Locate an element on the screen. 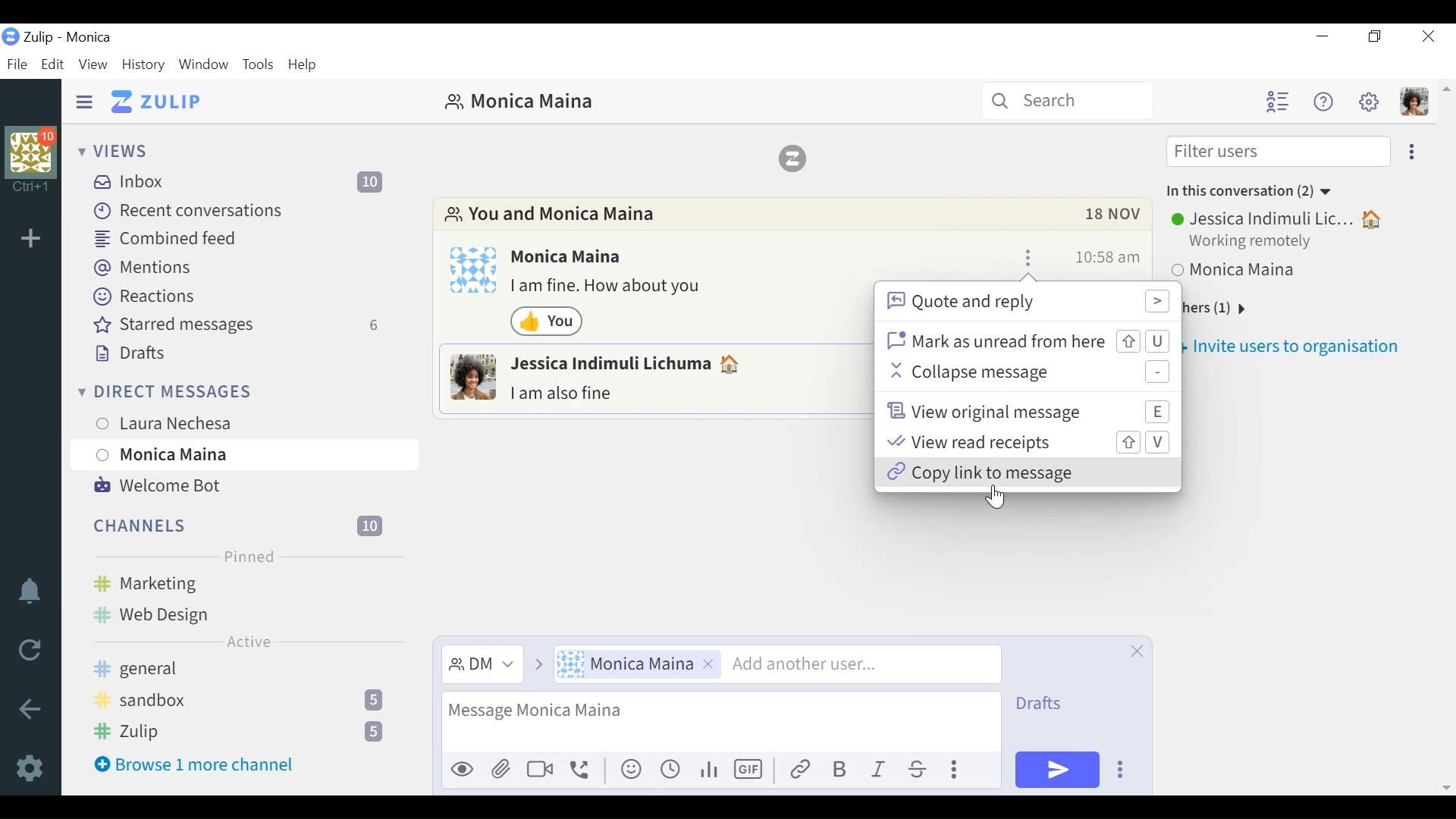 The width and height of the screenshot is (1456, 819). Reactions is located at coordinates (143, 296).